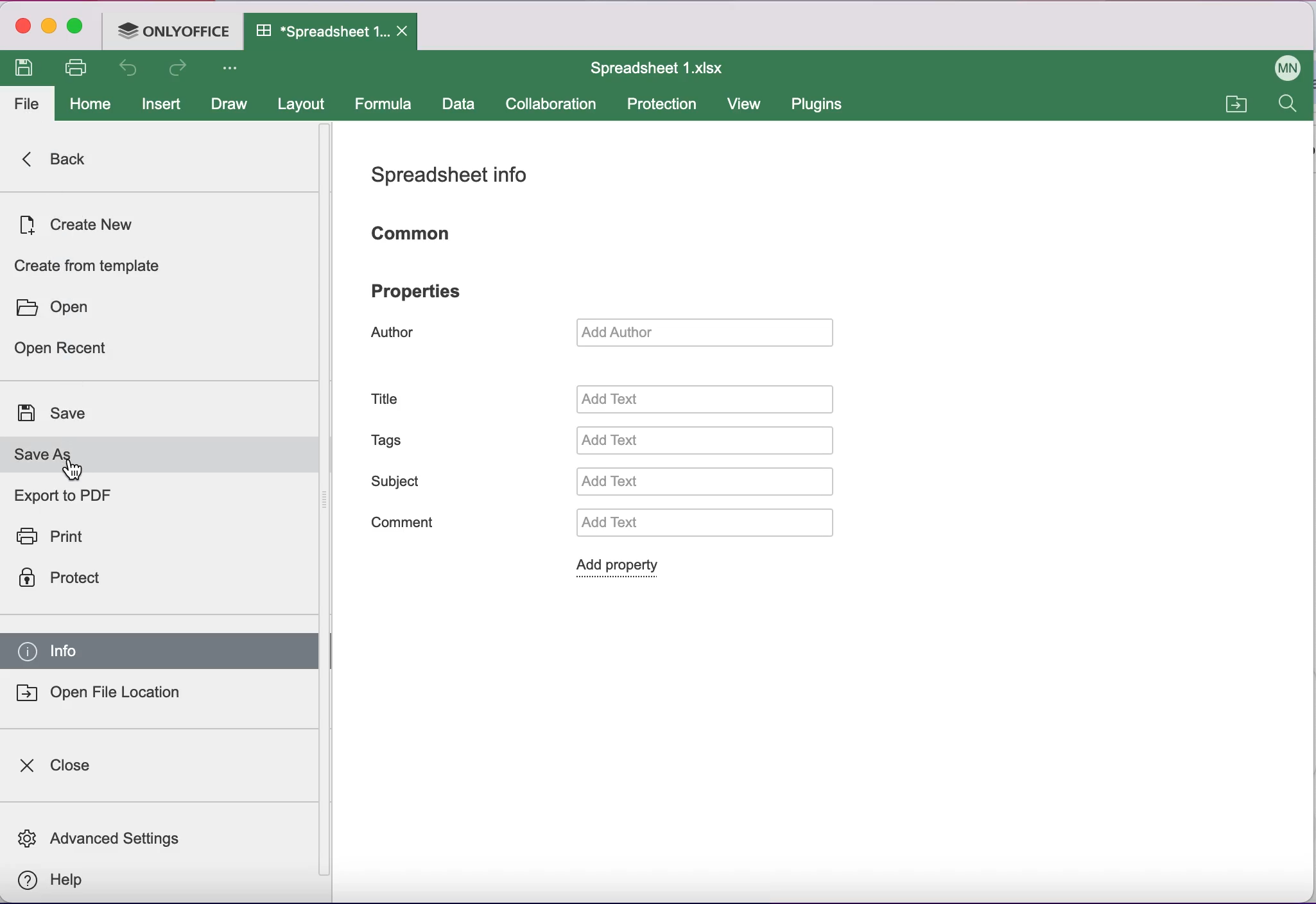  Describe the element at coordinates (60, 882) in the screenshot. I see `help` at that location.